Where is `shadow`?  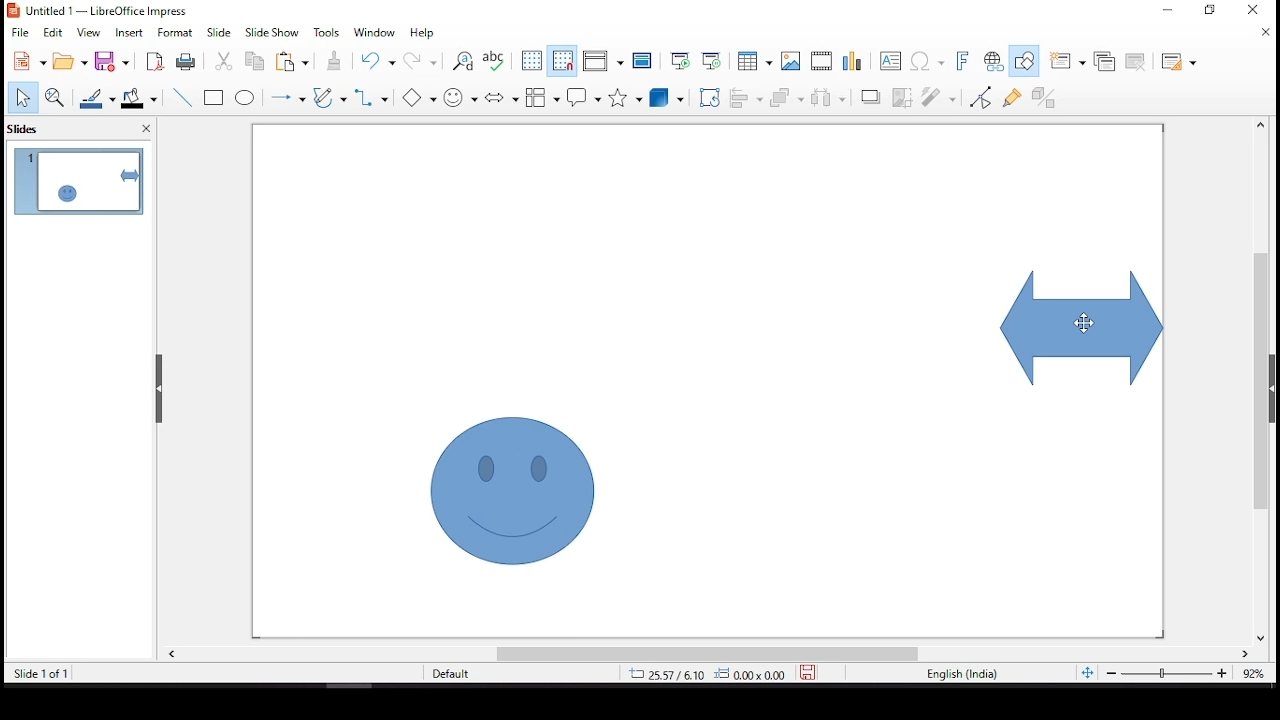
shadow is located at coordinates (871, 96).